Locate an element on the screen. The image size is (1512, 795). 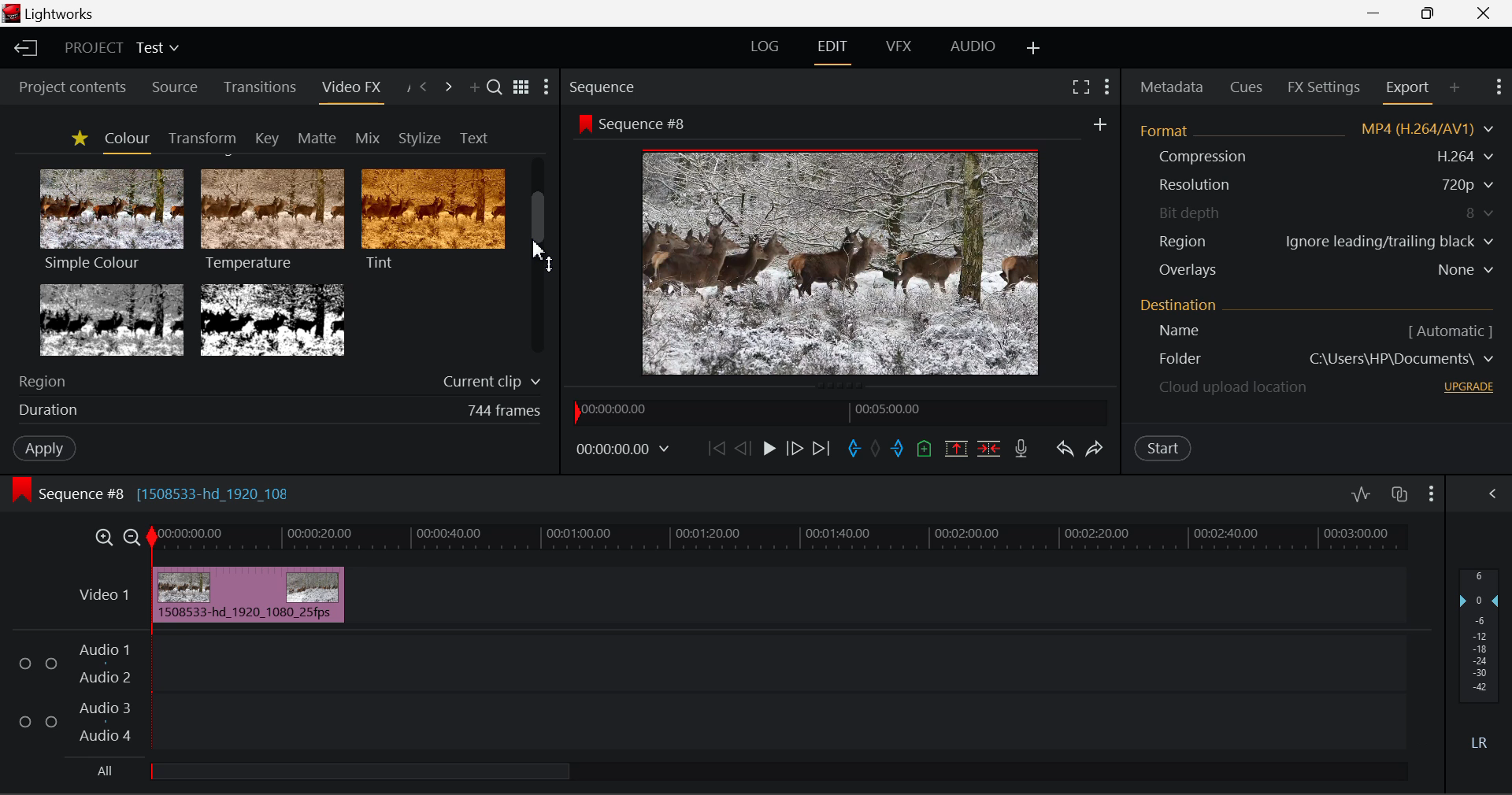
Project Title is located at coordinates (121, 46).